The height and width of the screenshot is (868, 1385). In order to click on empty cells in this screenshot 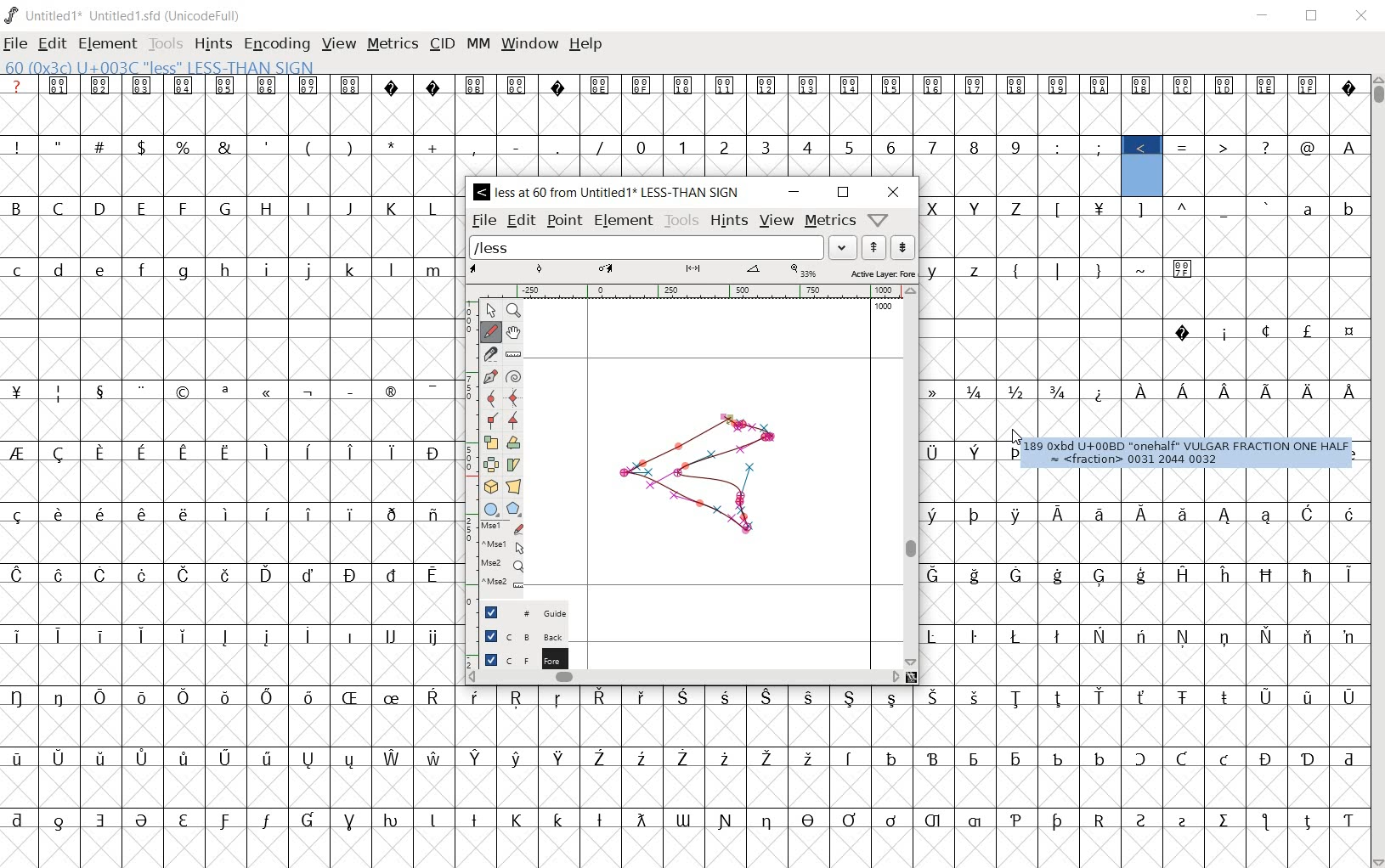, I will do `click(1142, 237)`.